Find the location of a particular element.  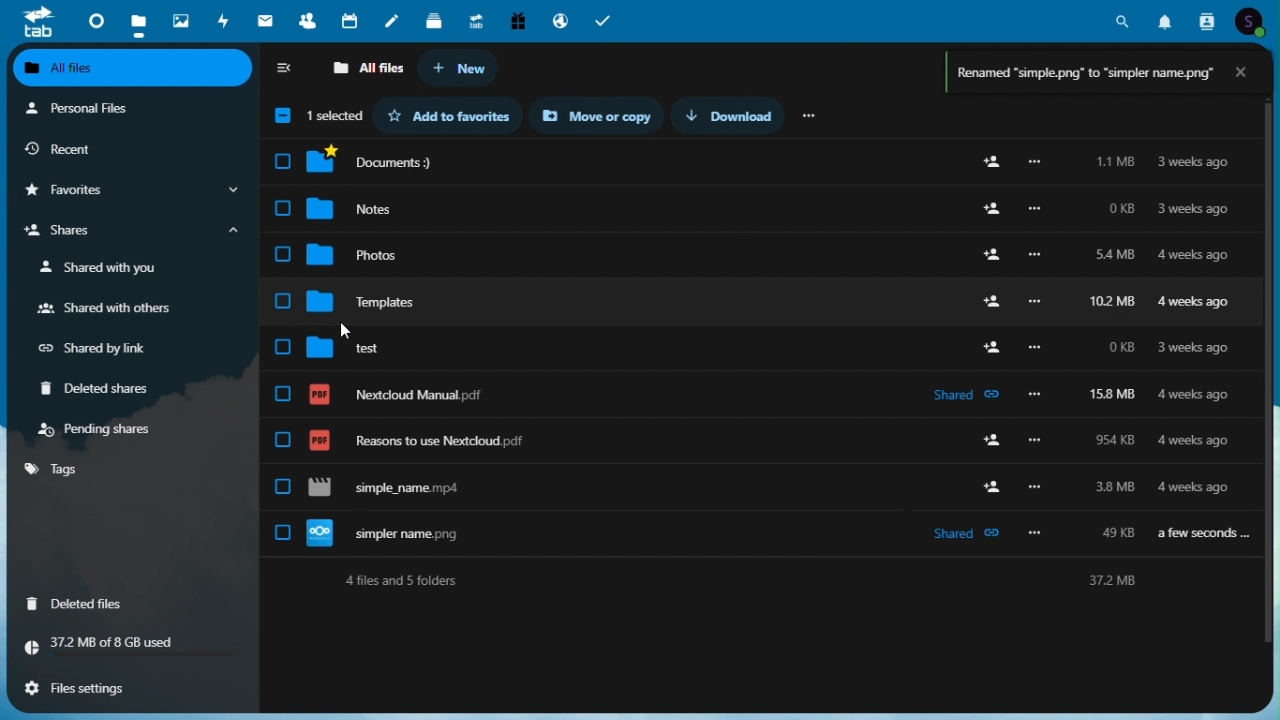

calendar is located at coordinates (353, 21).